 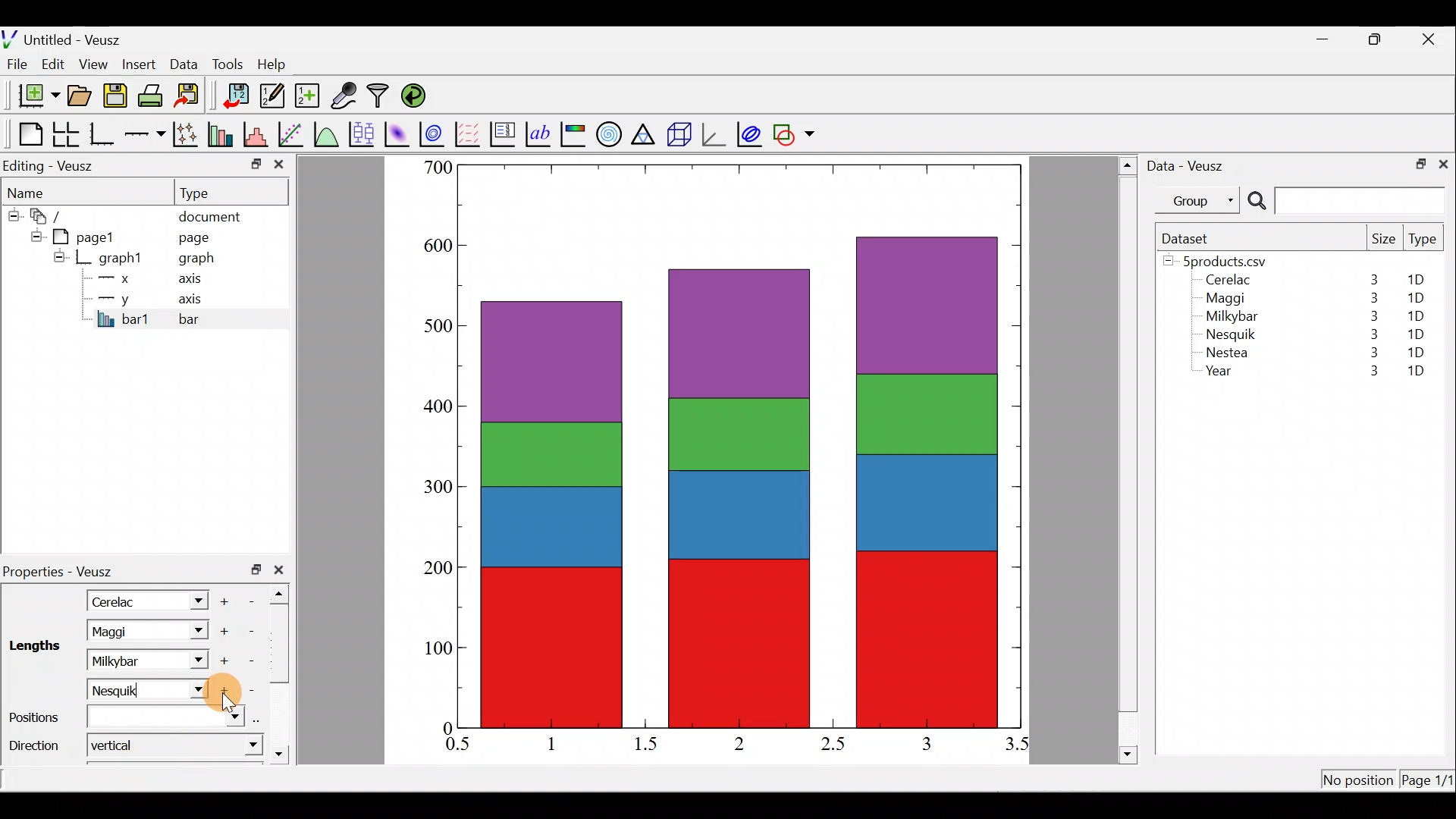 I want to click on Lengths, so click(x=33, y=648).